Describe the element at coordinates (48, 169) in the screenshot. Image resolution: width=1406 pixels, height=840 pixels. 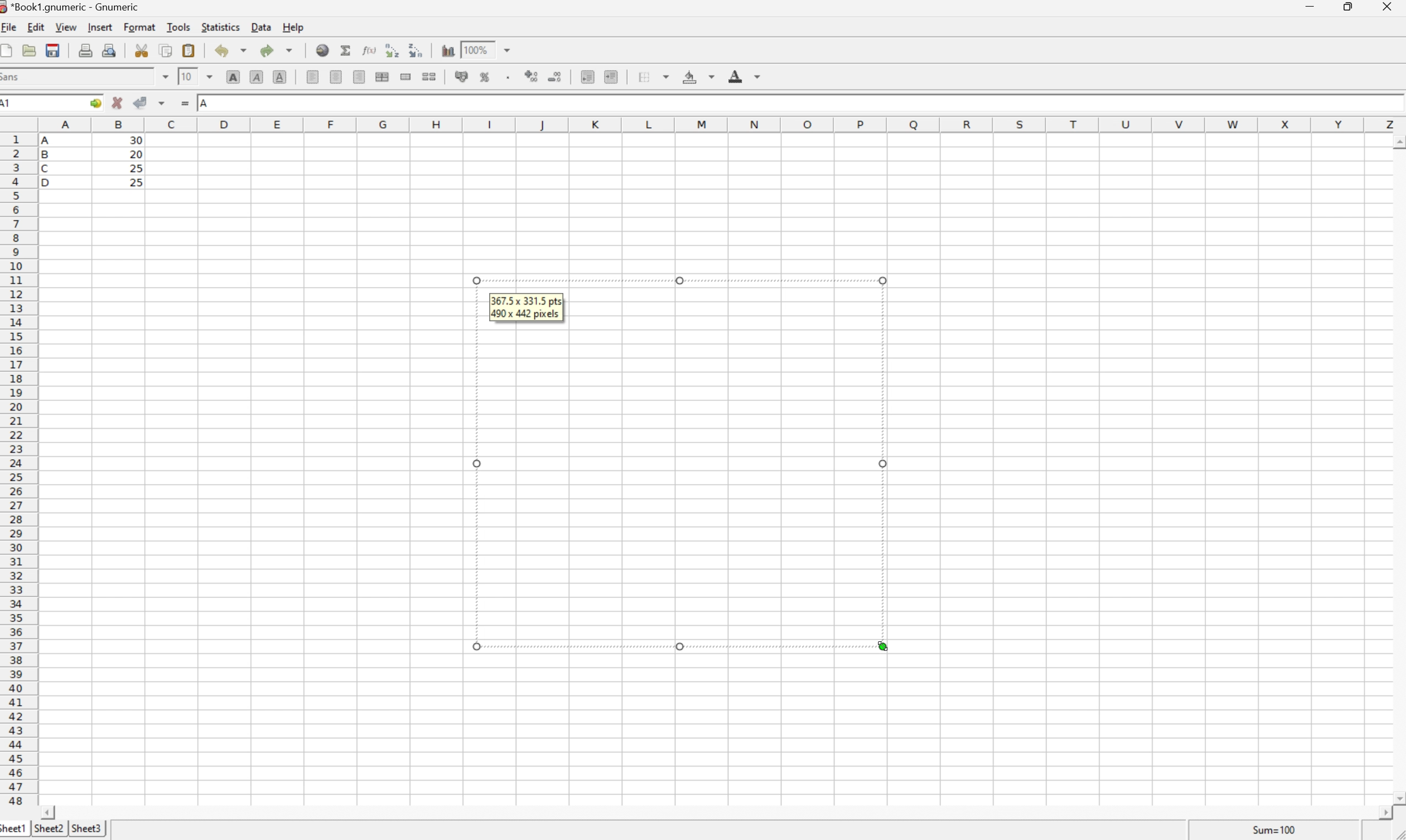
I see `C` at that location.